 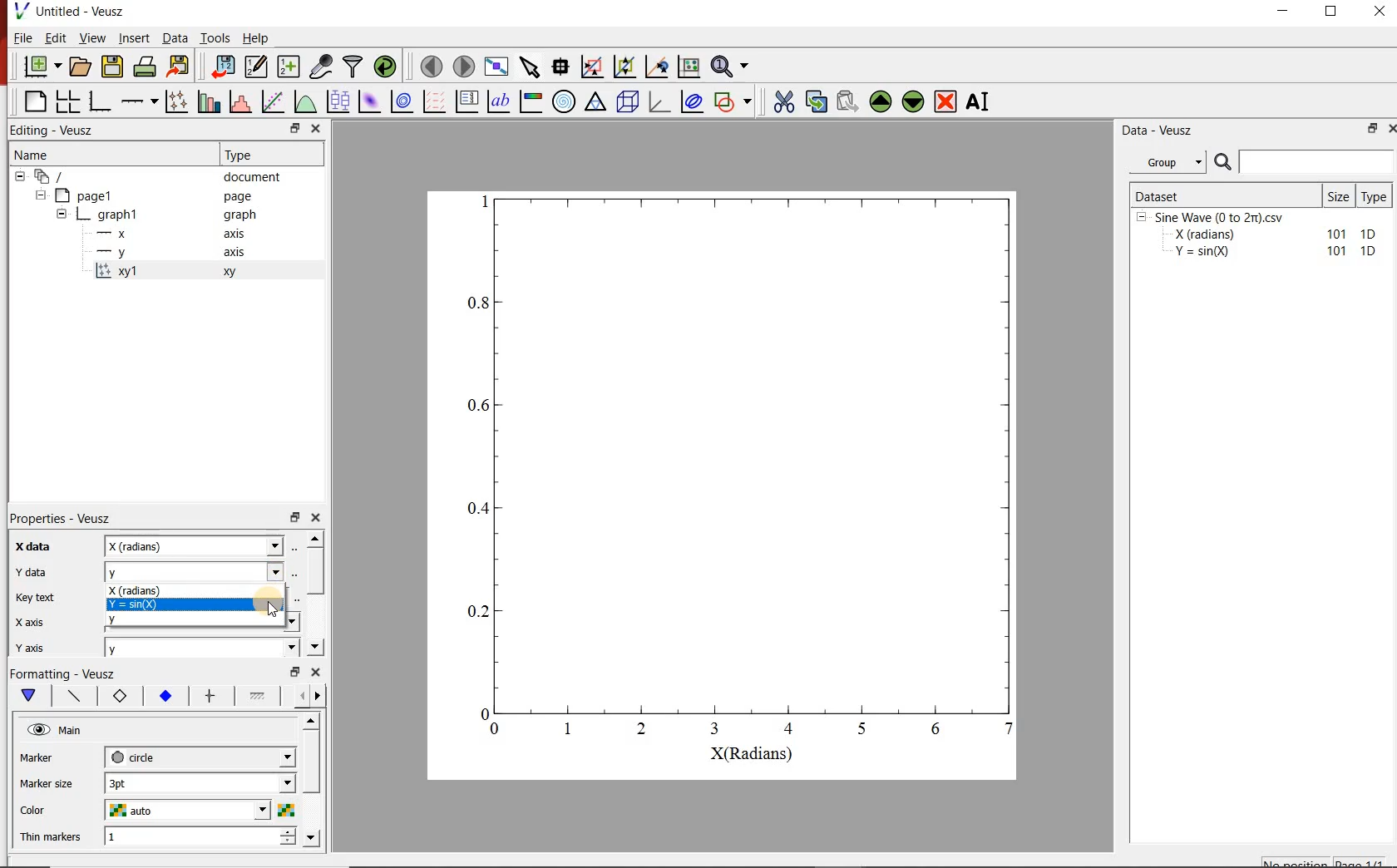 I want to click on Min/Max, so click(x=293, y=129).